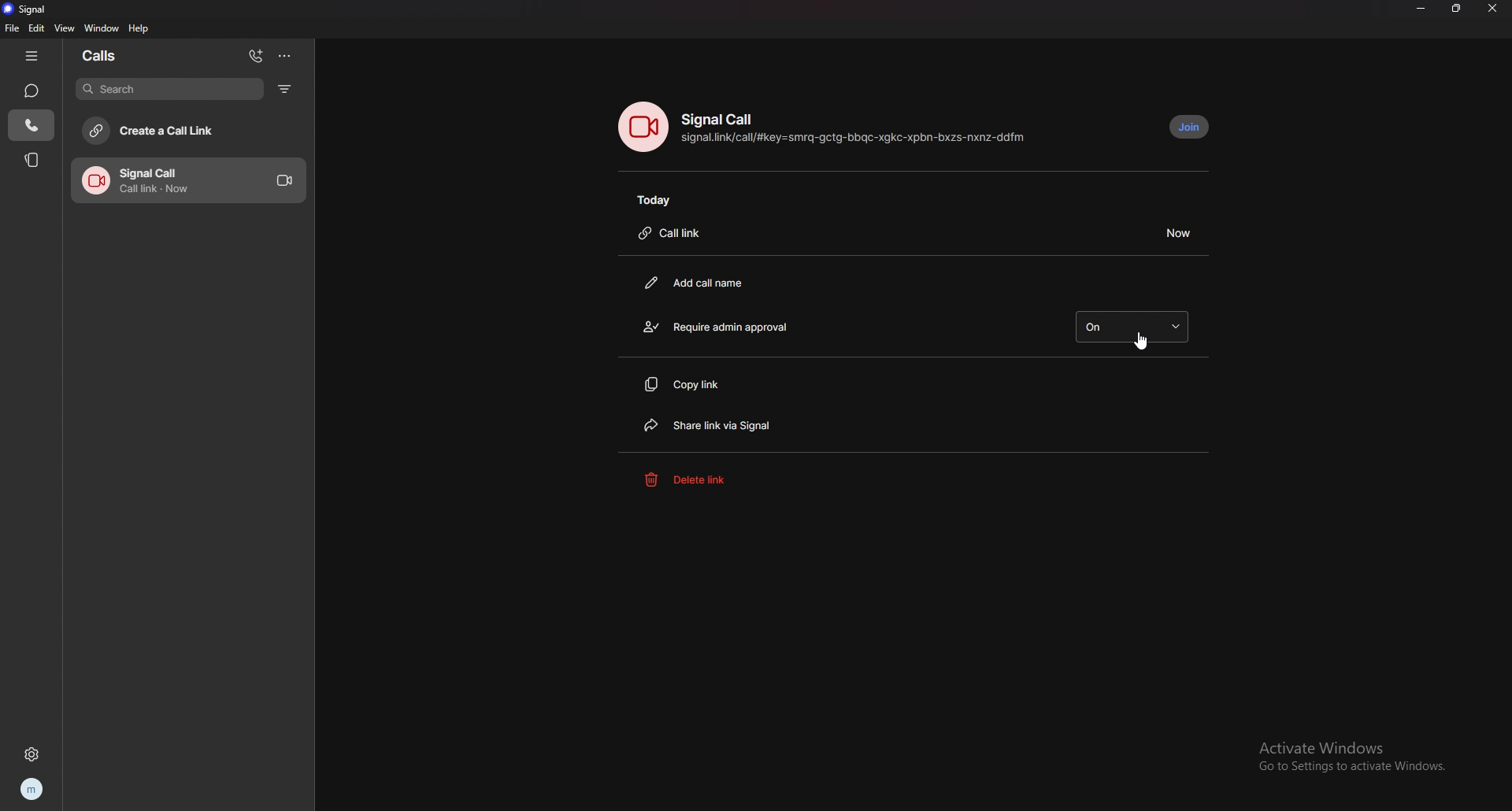  Describe the element at coordinates (31, 126) in the screenshot. I see `calls` at that location.